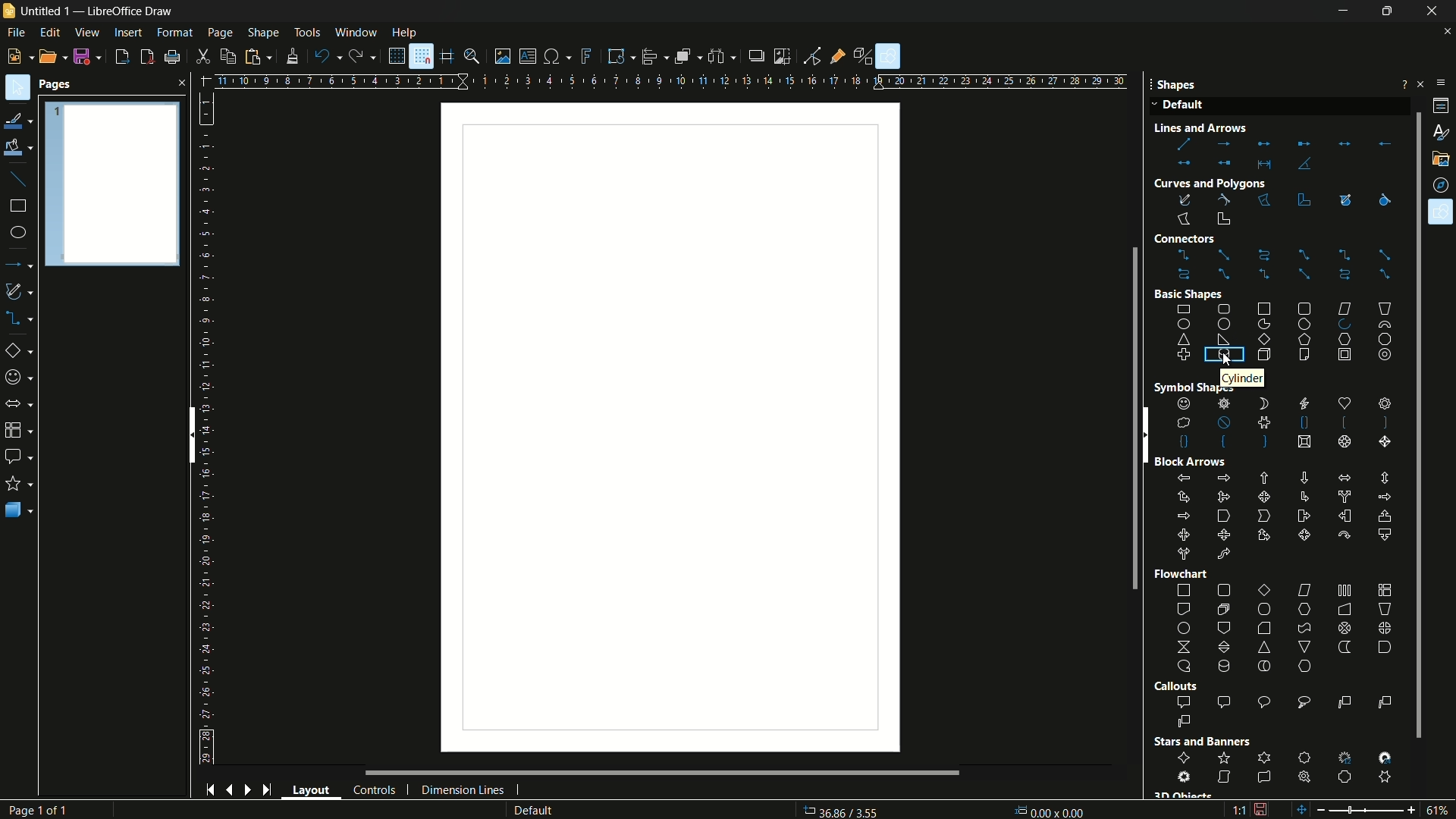 The image size is (1456, 819). What do you see at coordinates (821, 83) in the screenshot?
I see `width measure scale` at bounding box center [821, 83].